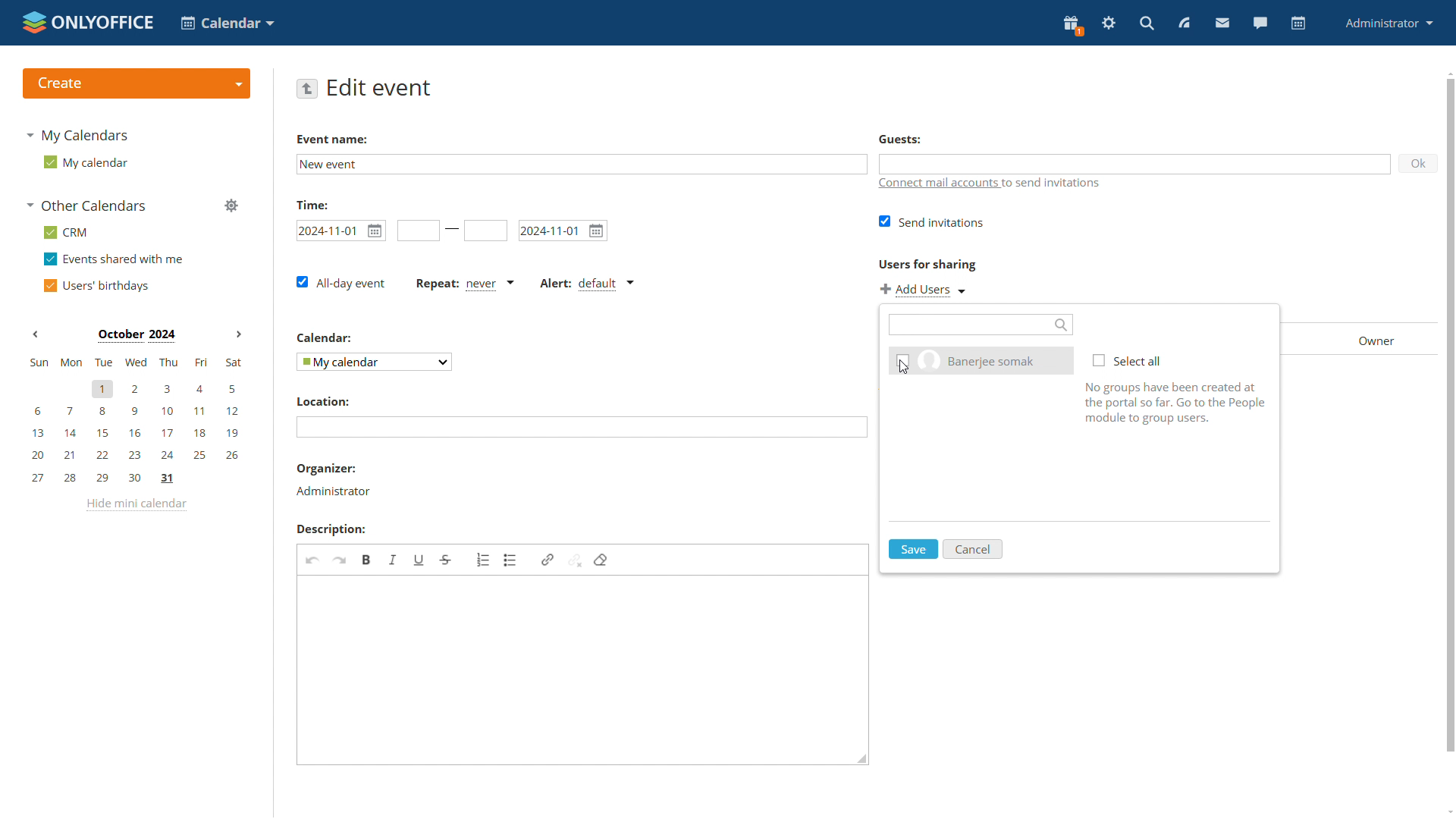  What do you see at coordinates (511, 560) in the screenshot?
I see `insert/remove bulletted list` at bounding box center [511, 560].